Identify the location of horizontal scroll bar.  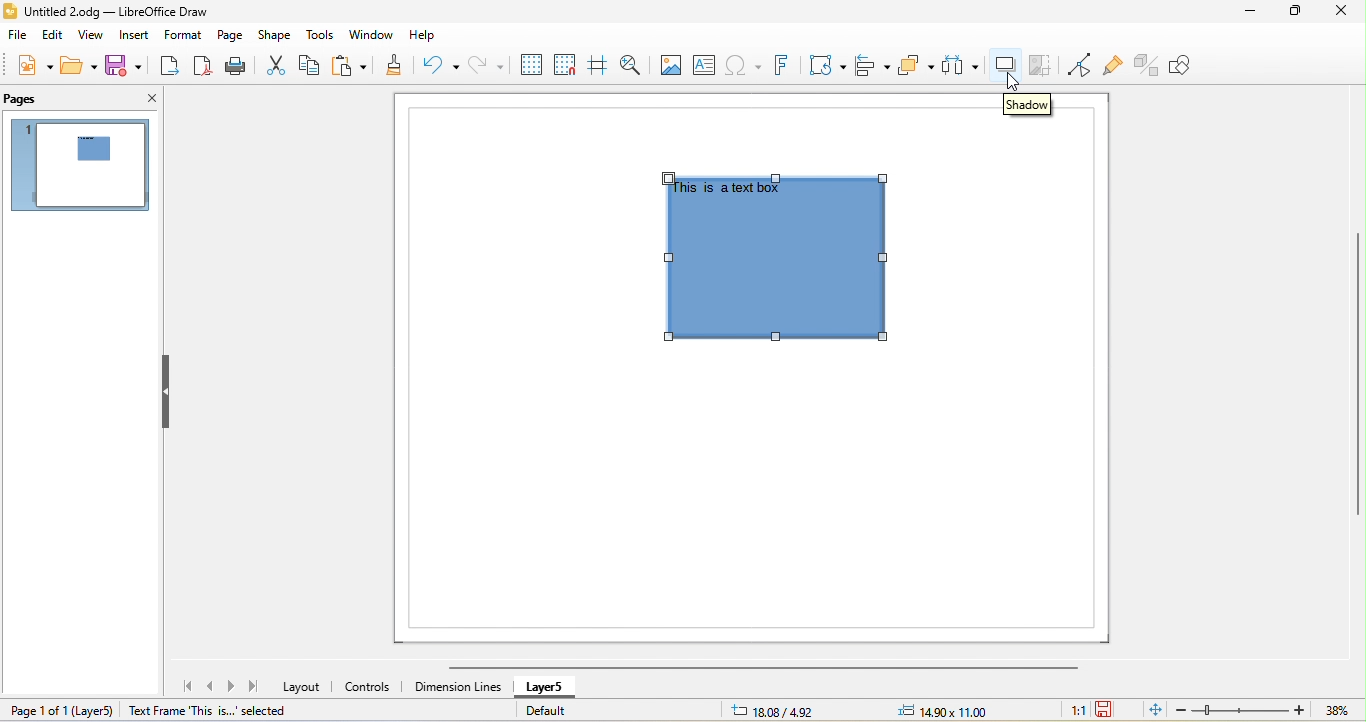
(754, 669).